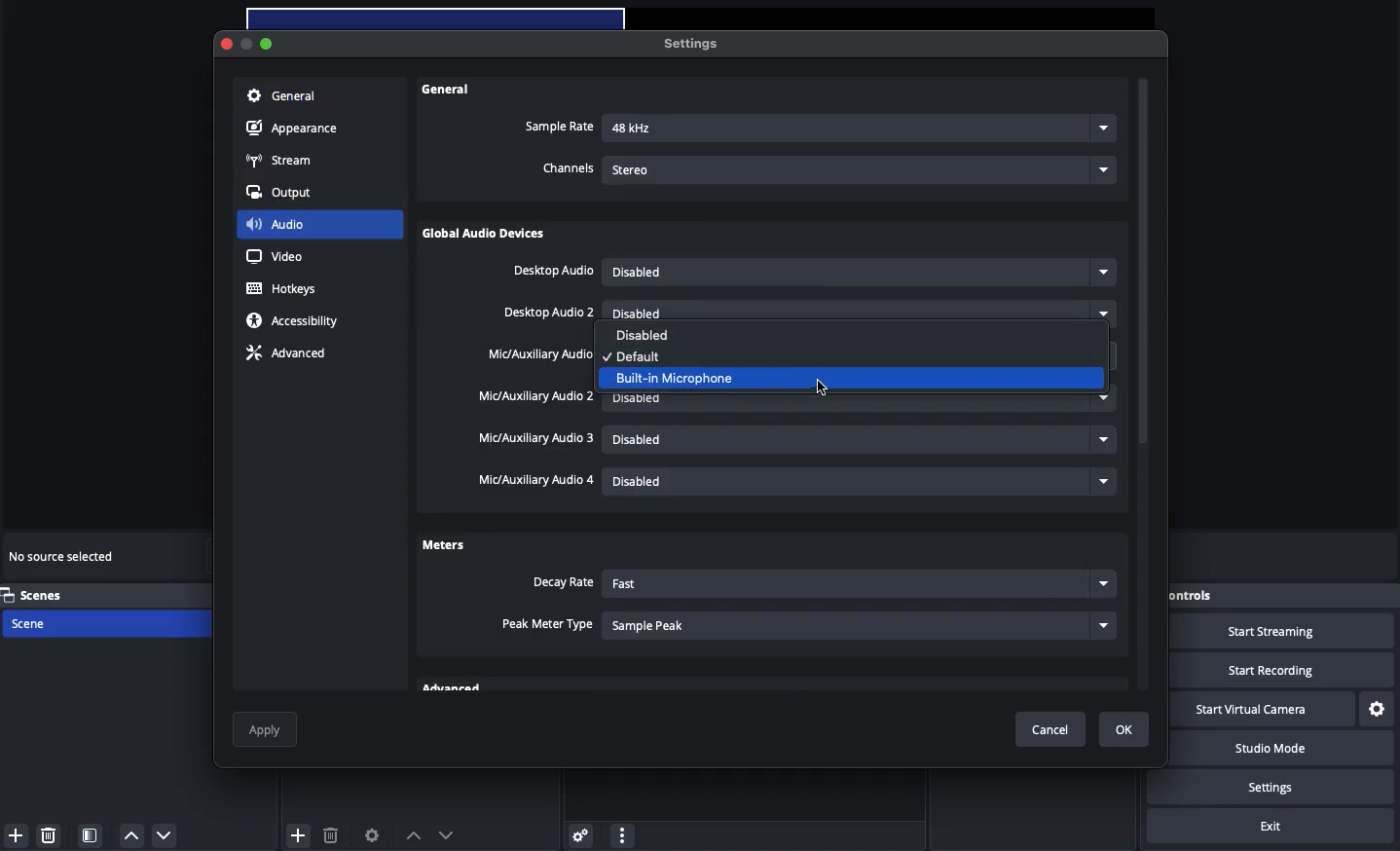 The height and width of the screenshot is (851, 1400). Describe the element at coordinates (46, 595) in the screenshot. I see `Scenes` at that location.